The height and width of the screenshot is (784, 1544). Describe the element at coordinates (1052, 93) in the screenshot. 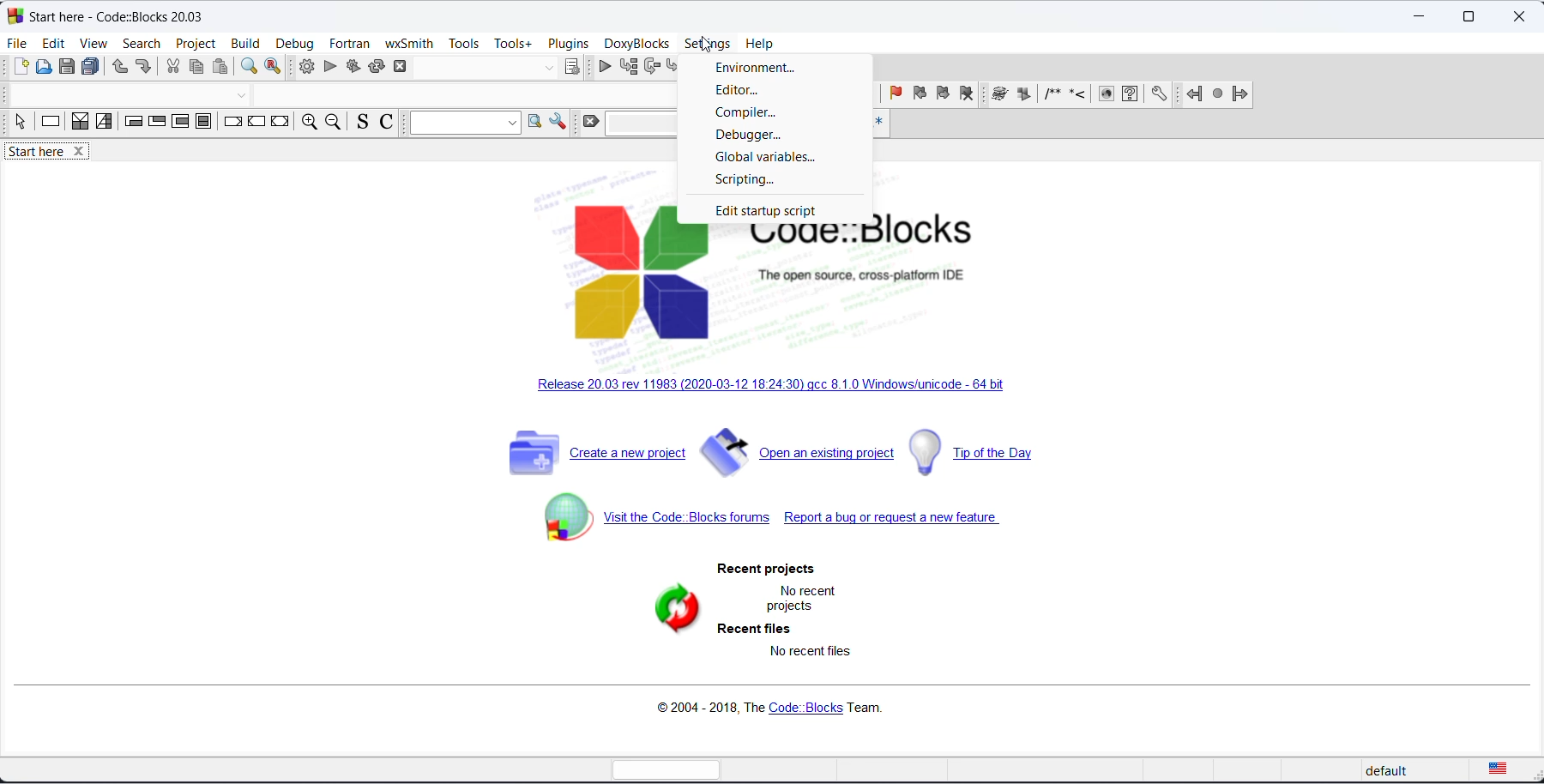

I see `multiline comment` at that location.